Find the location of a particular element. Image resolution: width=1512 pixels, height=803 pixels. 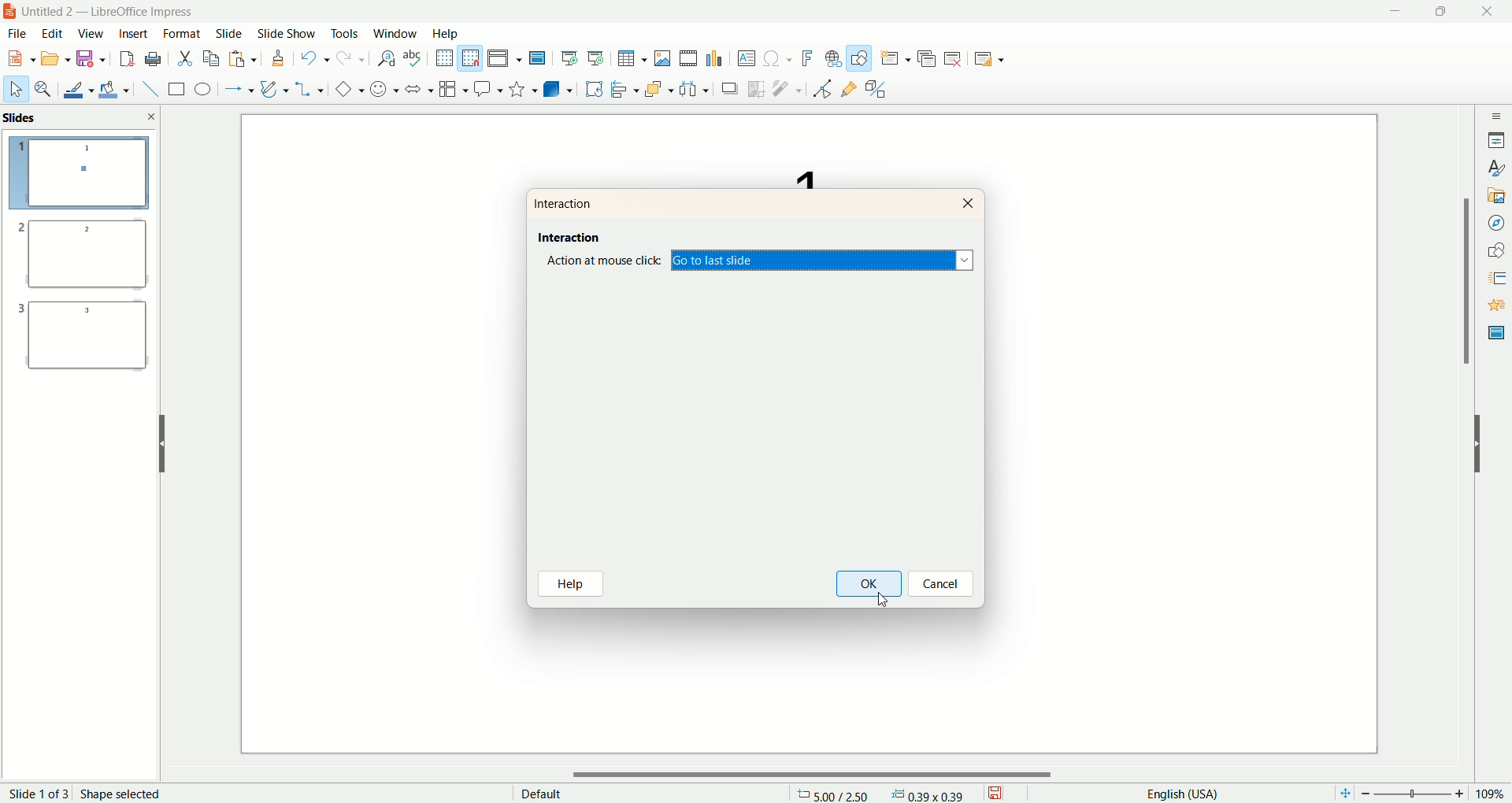

flowchart is located at coordinates (450, 90).